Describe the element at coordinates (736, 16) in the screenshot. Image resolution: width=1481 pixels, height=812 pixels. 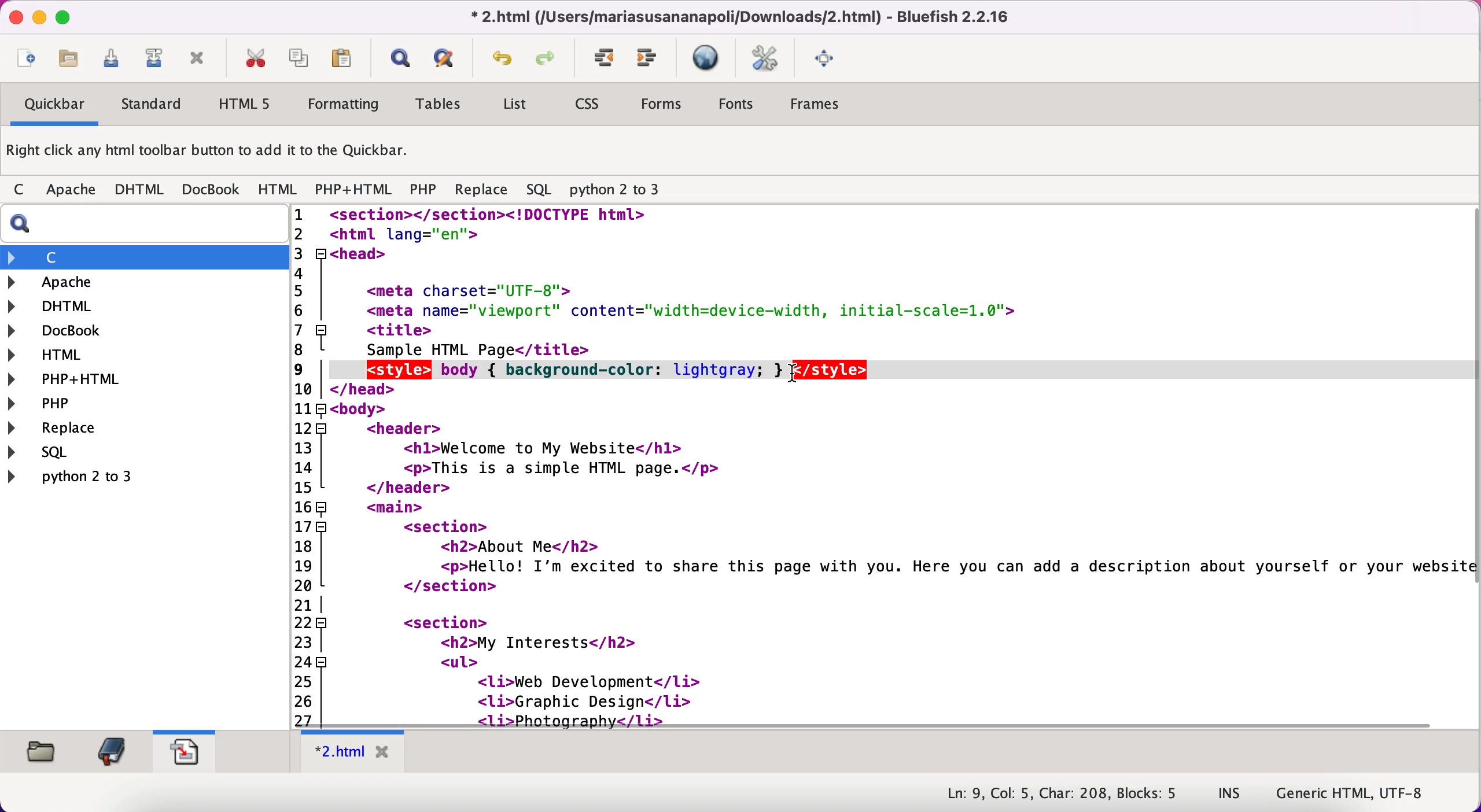
I see `* 2.html (/Users/mariasusananapoli/Downloads/2.html) - Bluefish 2.2.16` at that location.